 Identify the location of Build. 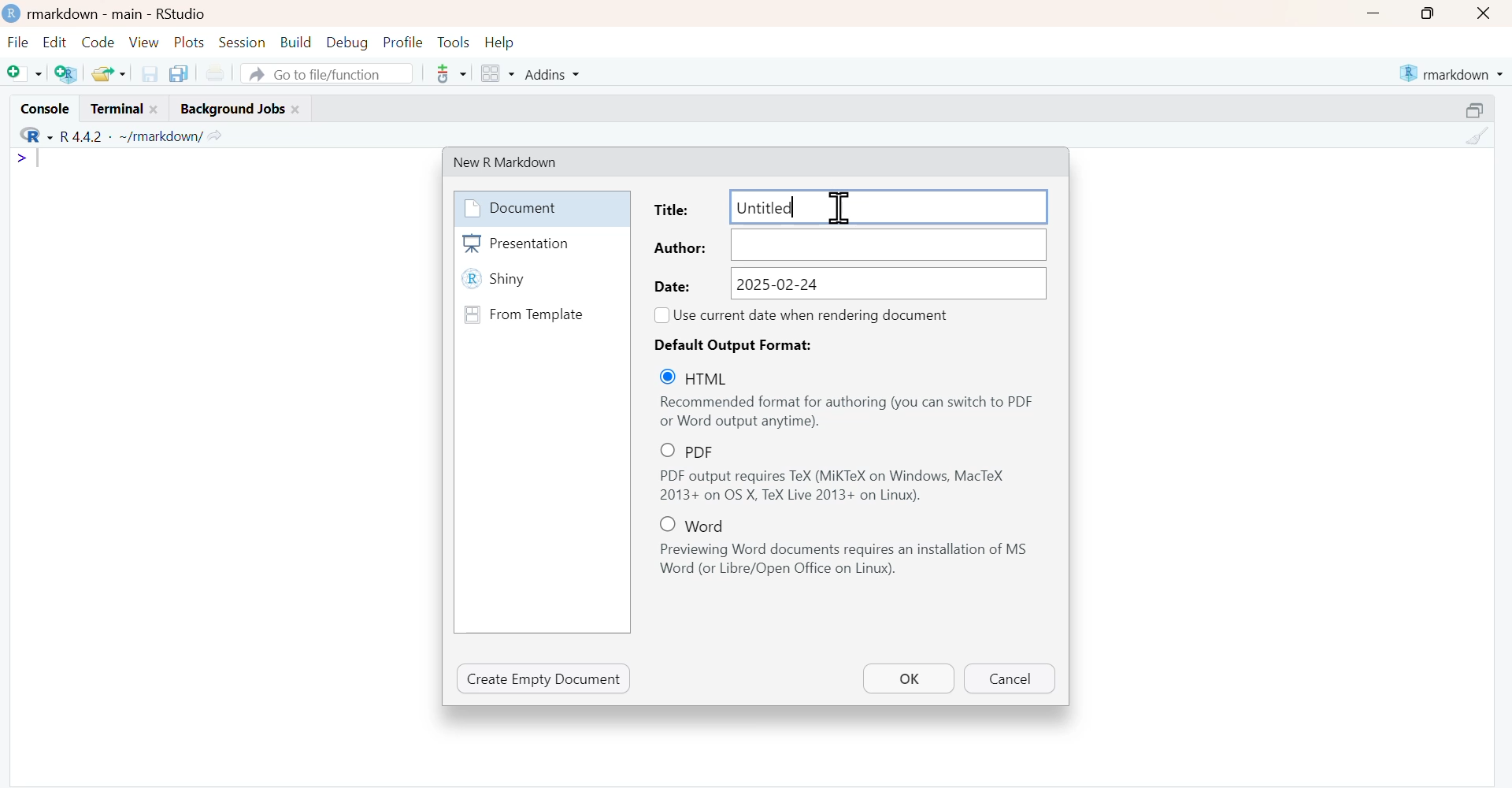
(295, 43).